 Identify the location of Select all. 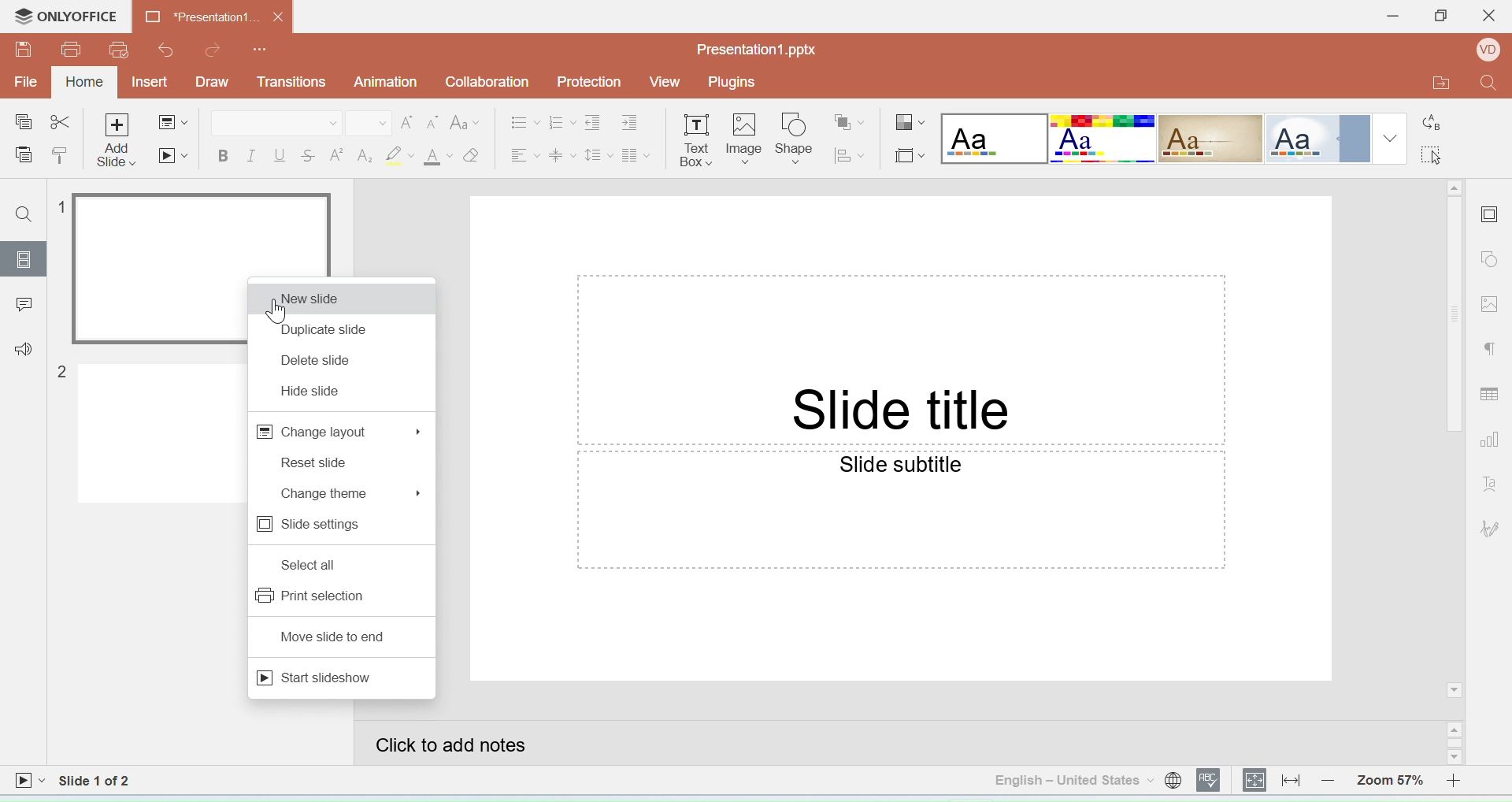
(1437, 153).